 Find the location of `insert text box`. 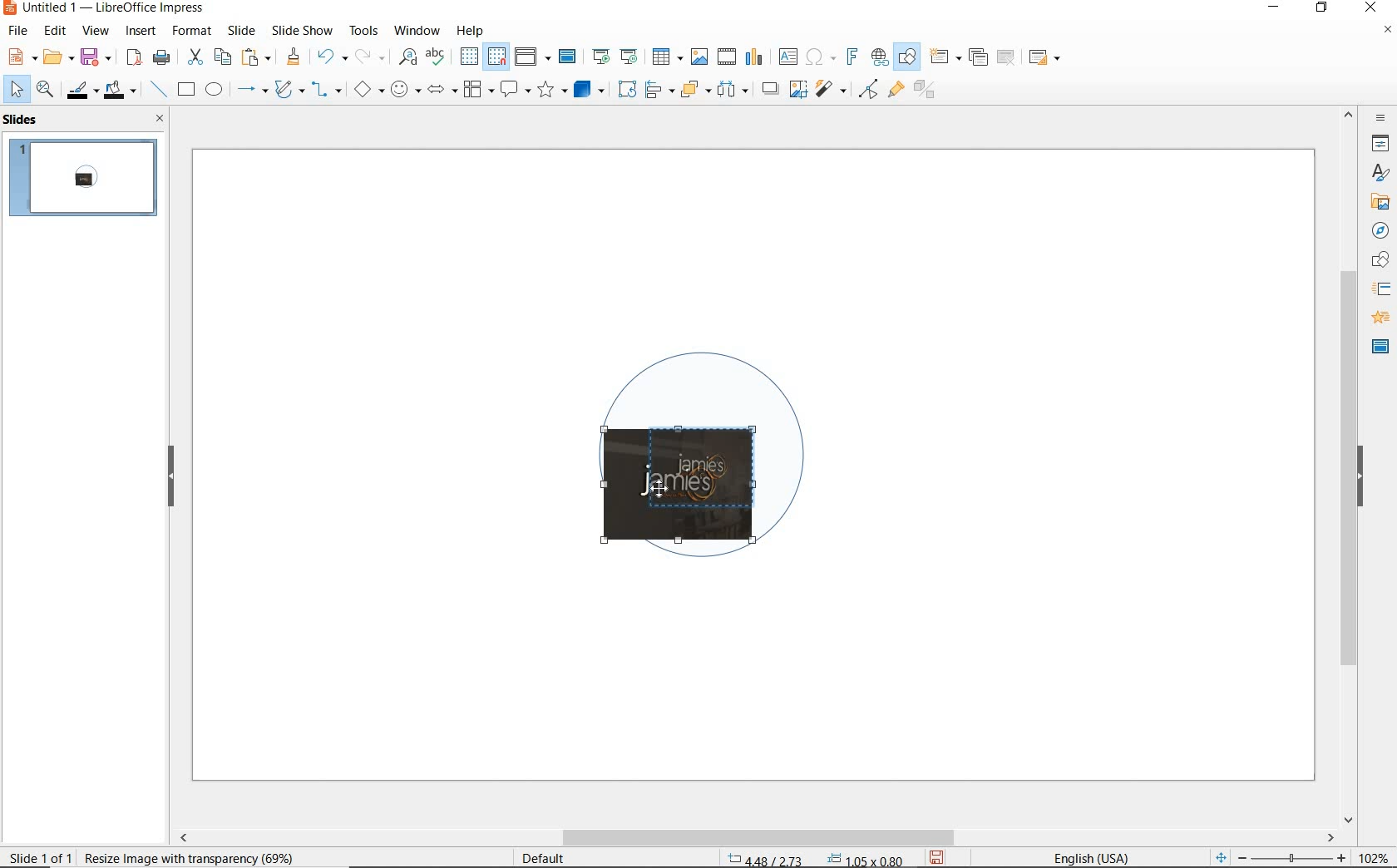

insert text box is located at coordinates (787, 57).